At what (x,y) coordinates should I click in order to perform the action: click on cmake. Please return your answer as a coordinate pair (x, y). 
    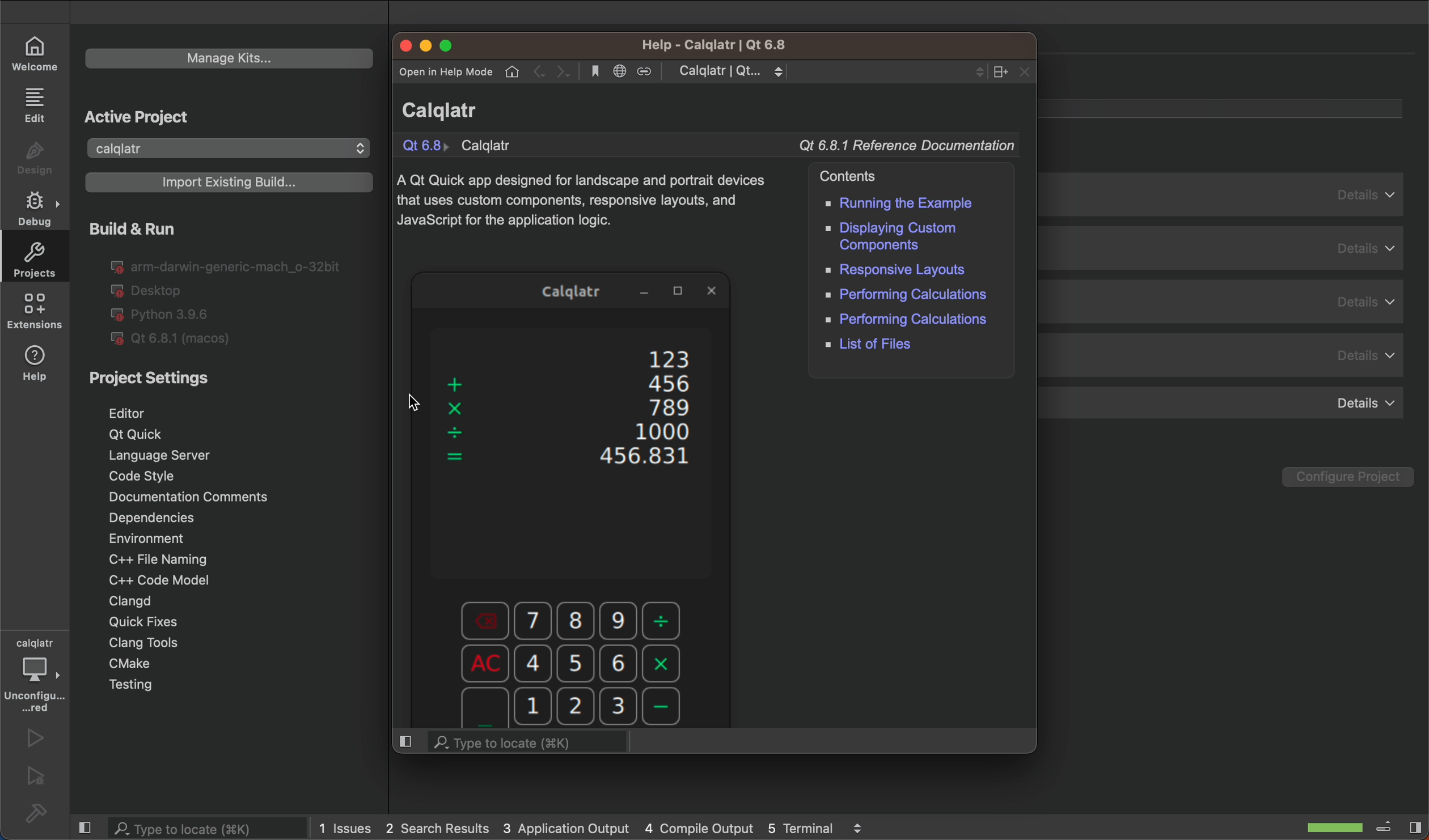
    Looking at the image, I should click on (139, 664).